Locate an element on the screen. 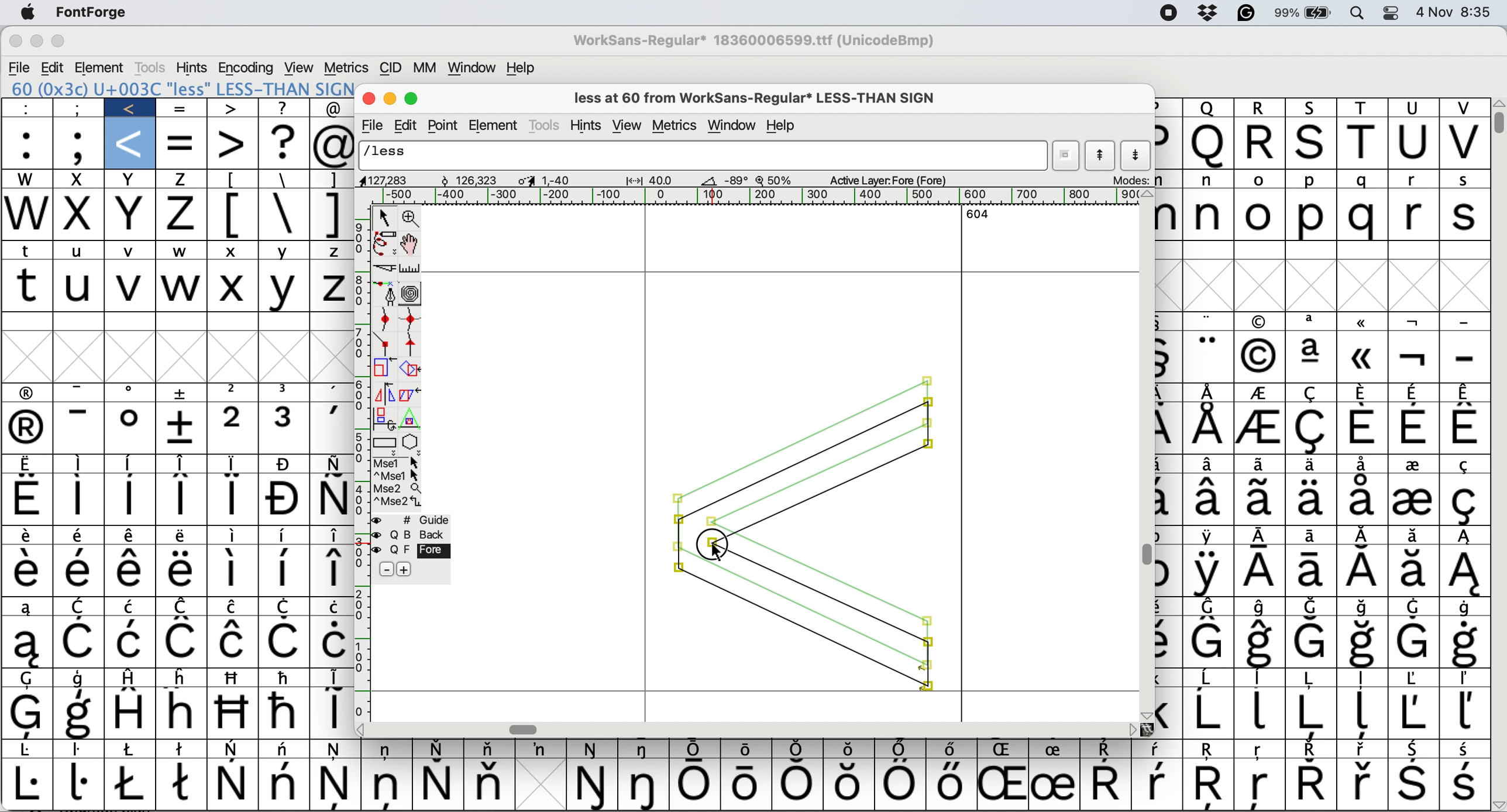 Image resolution: width=1507 pixels, height=812 pixels. view is located at coordinates (301, 67).